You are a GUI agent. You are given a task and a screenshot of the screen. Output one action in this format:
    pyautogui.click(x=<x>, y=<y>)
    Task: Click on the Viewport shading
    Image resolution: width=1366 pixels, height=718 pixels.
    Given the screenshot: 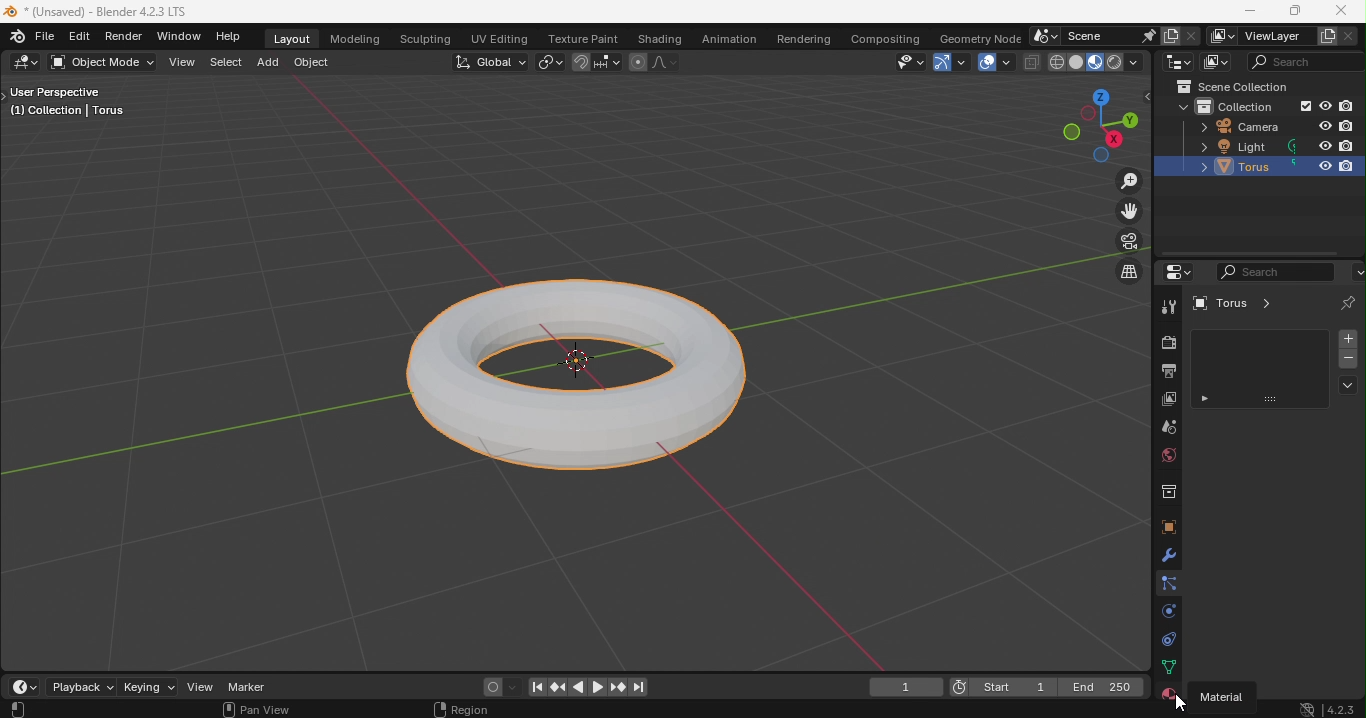 What is the action you would take?
    pyautogui.click(x=1114, y=62)
    